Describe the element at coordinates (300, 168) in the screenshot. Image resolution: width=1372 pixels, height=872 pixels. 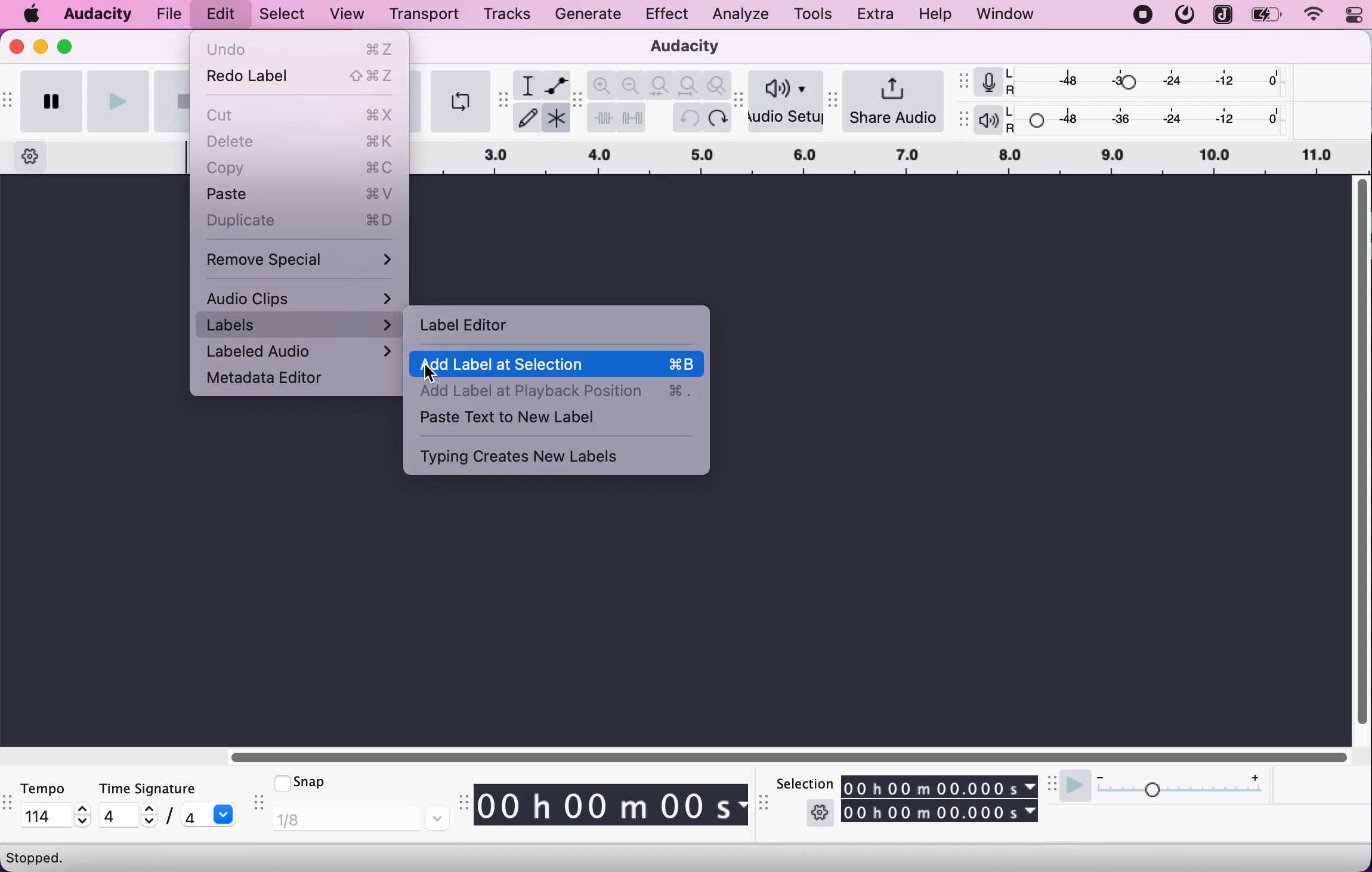
I see `copy` at that location.